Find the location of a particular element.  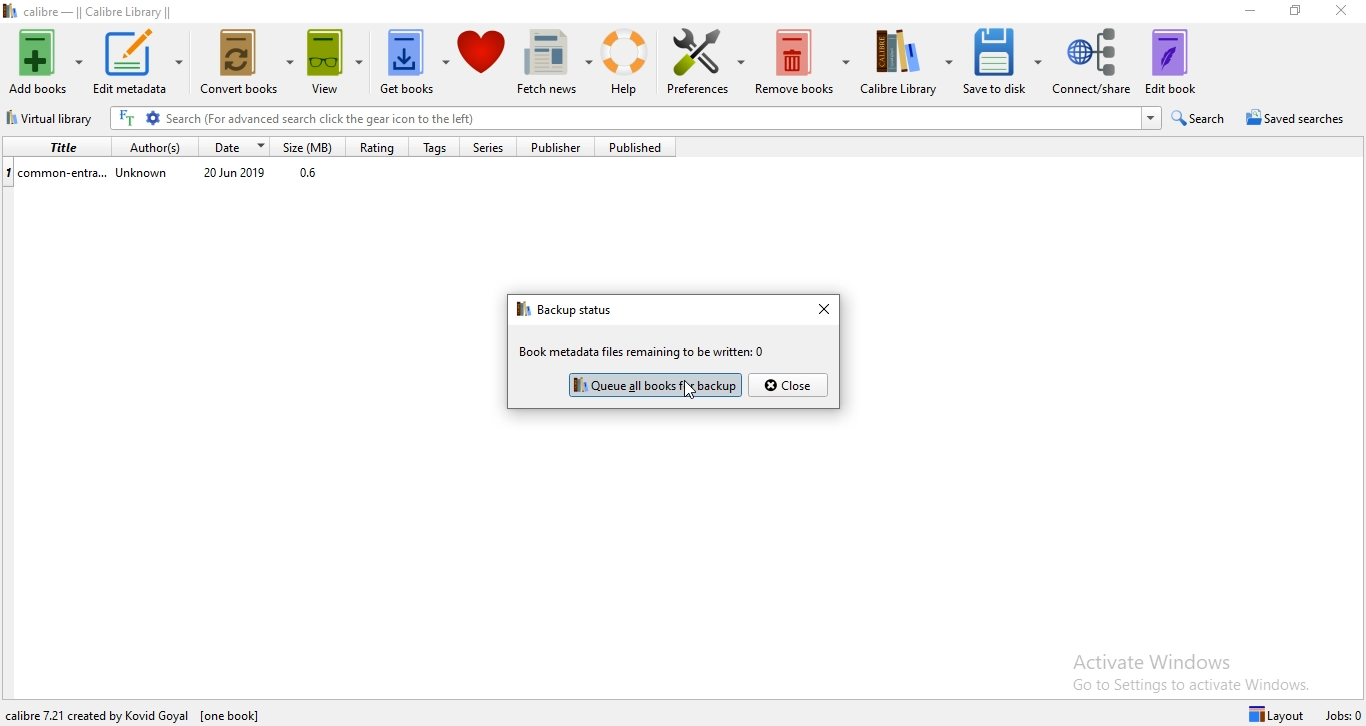

close is located at coordinates (824, 310).